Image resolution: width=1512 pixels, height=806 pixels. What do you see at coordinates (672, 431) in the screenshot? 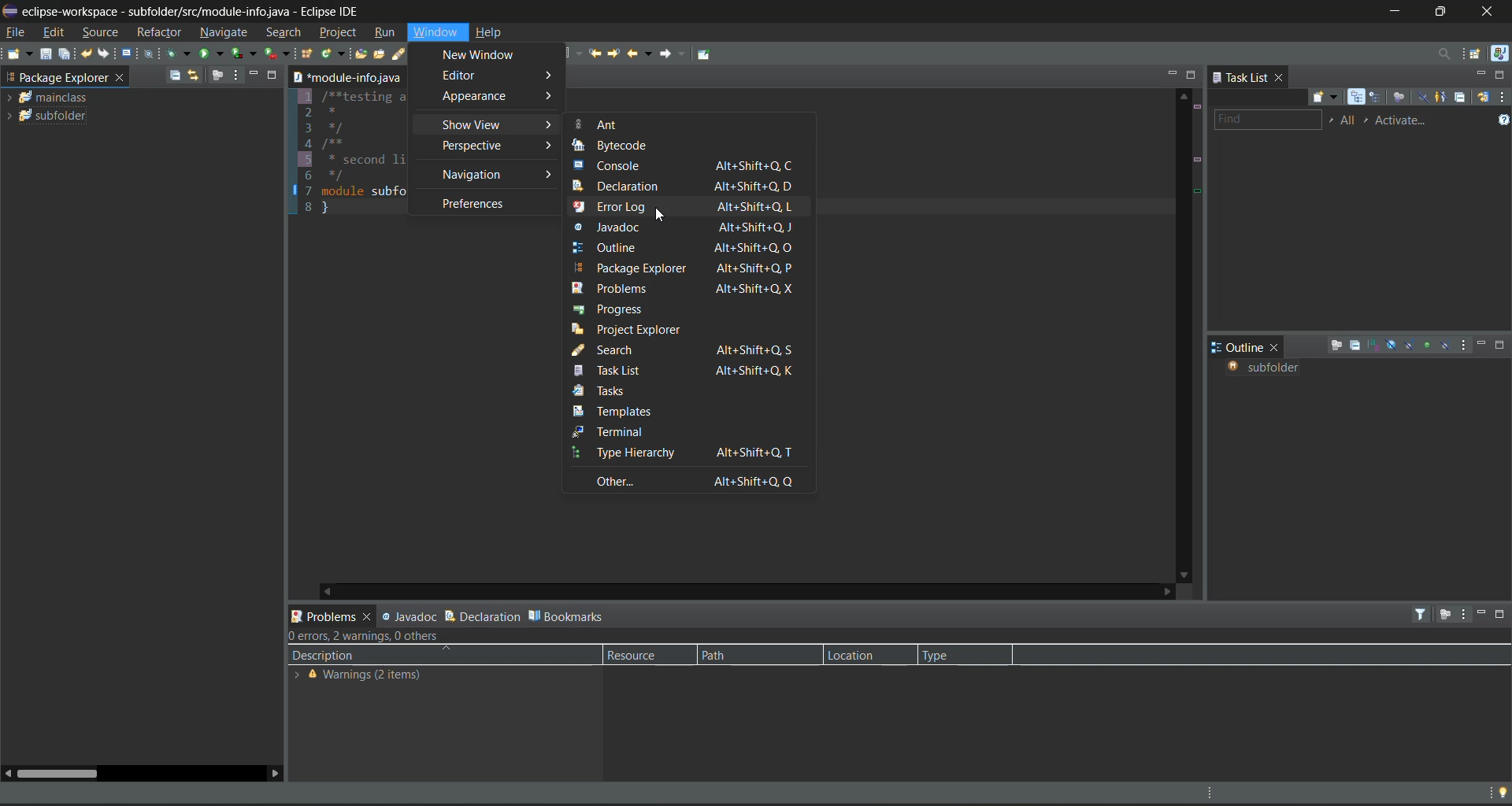
I see `terminal` at bounding box center [672, 431].